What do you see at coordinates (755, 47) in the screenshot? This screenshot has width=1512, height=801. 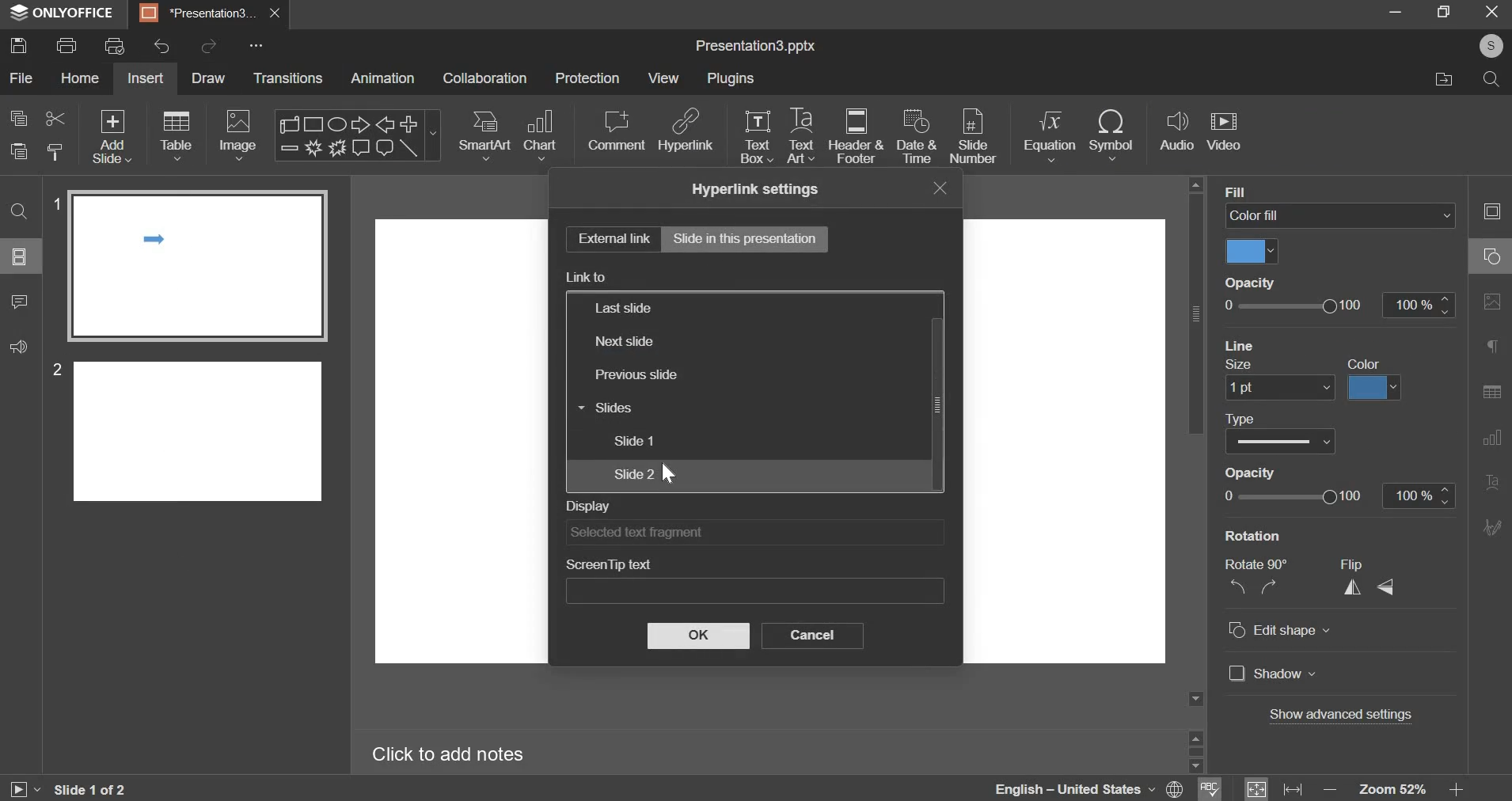 I see `presentation name` at bounding box center [755, 47].